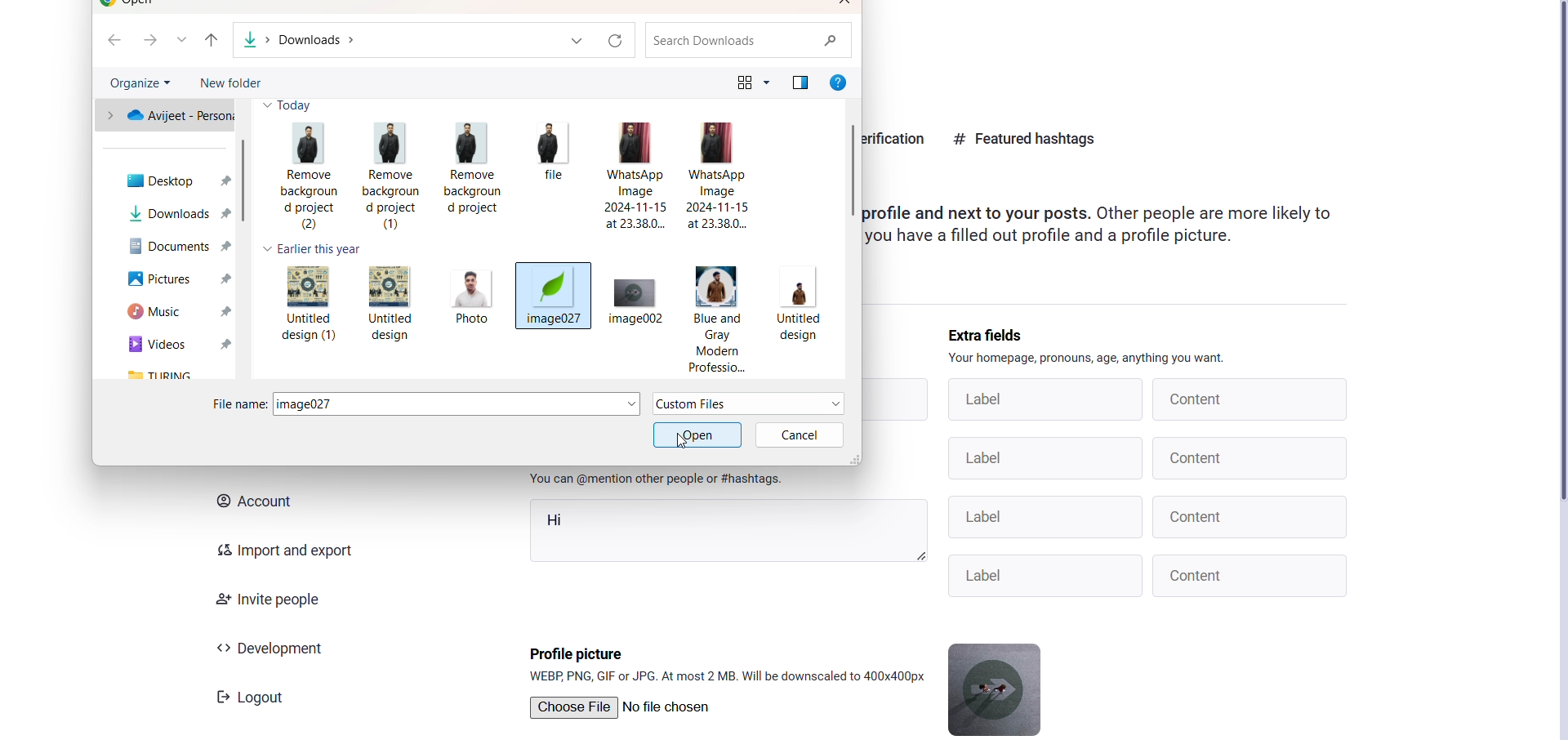  What do you see at coordinates (1251, 575) in the screenshot?
I see `Content` at bounding box center [1251, 575].